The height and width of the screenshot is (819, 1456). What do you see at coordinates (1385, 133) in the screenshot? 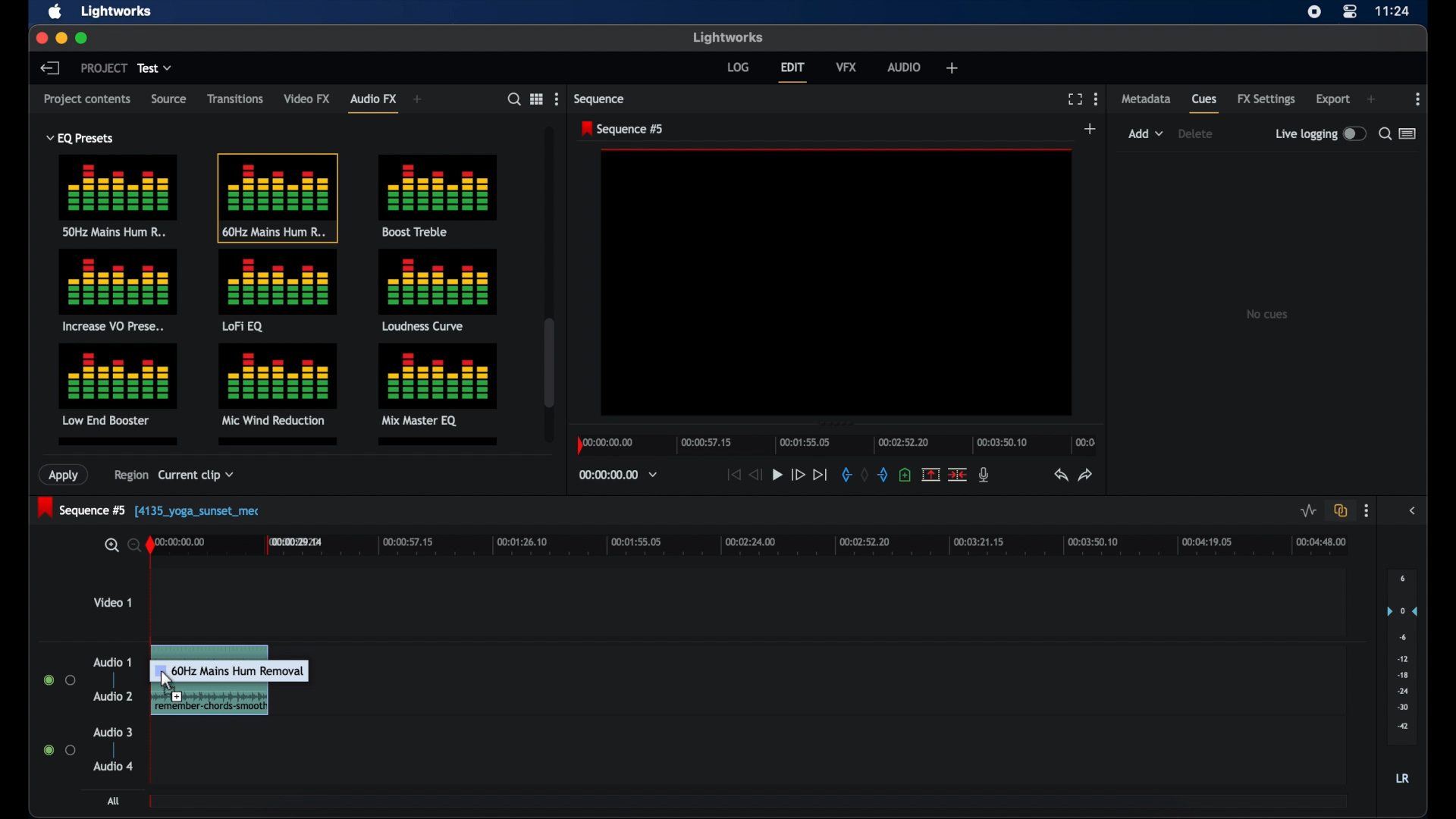
I see `search` at bounding box center [1385, 133].